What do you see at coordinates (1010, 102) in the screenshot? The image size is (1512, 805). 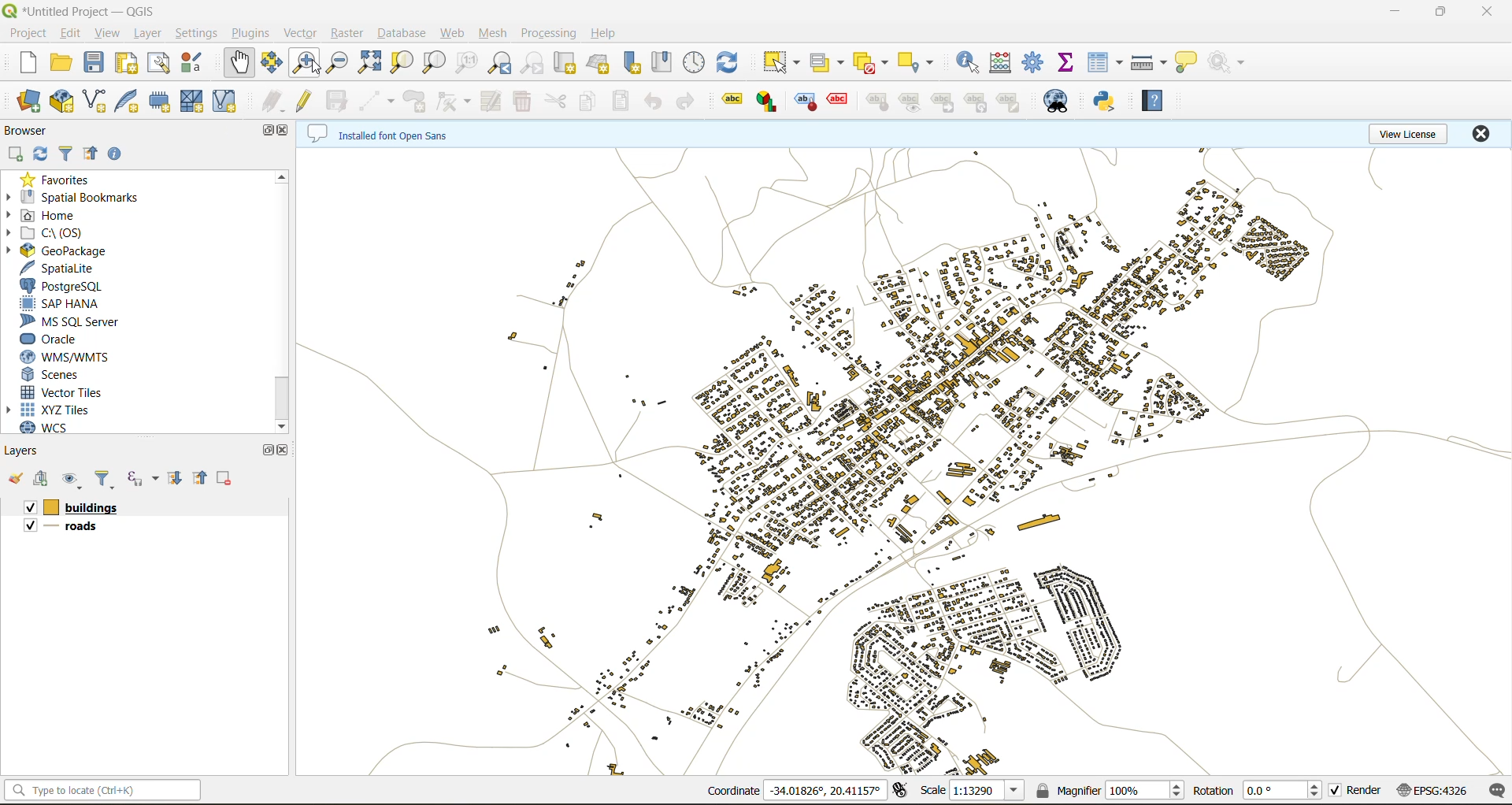 I see `Edit Label` at bounding box center [1010, 102].